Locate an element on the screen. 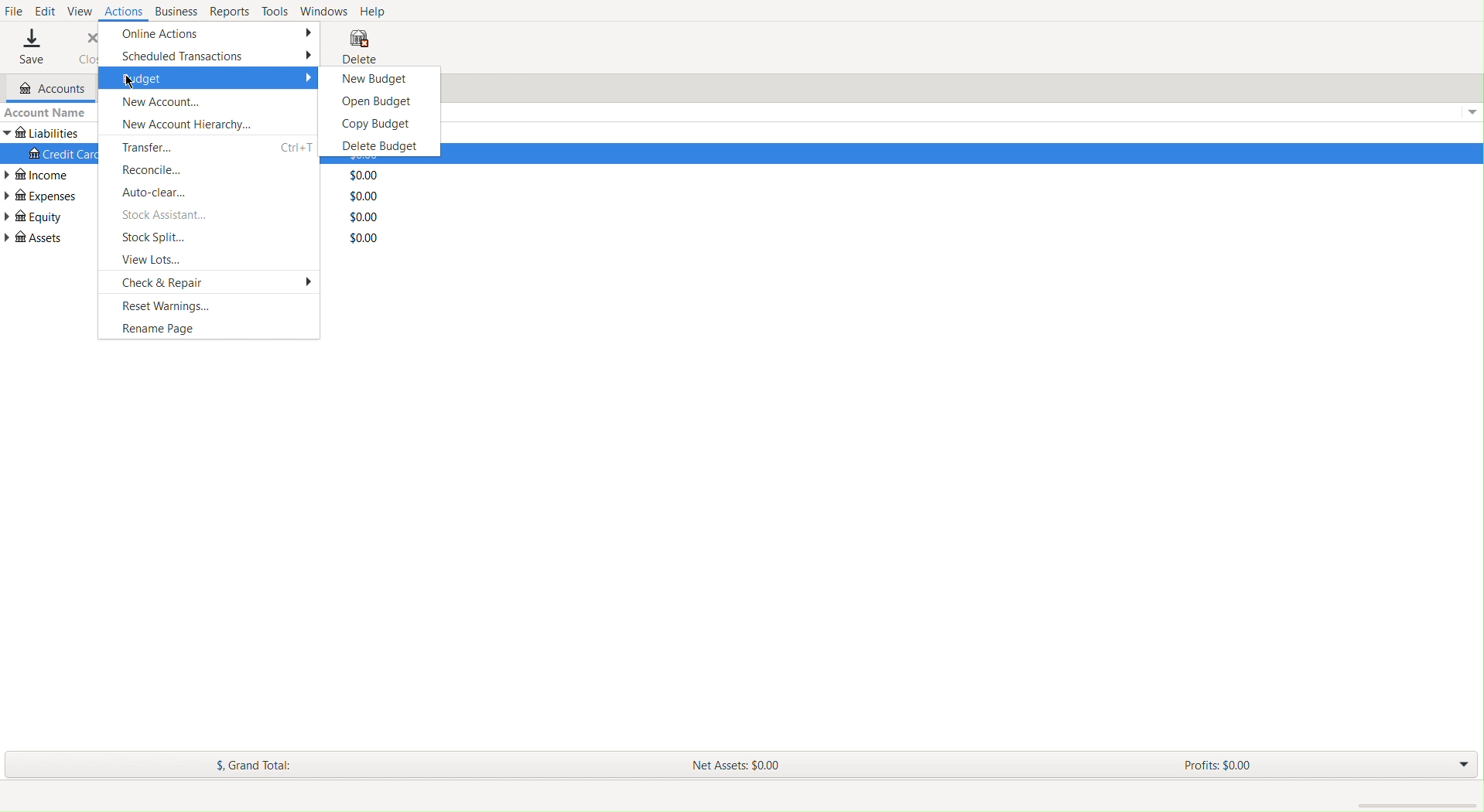 The width and height of the screenshot is (1484, 812). Reconcile is located at coordinates (156, 168).